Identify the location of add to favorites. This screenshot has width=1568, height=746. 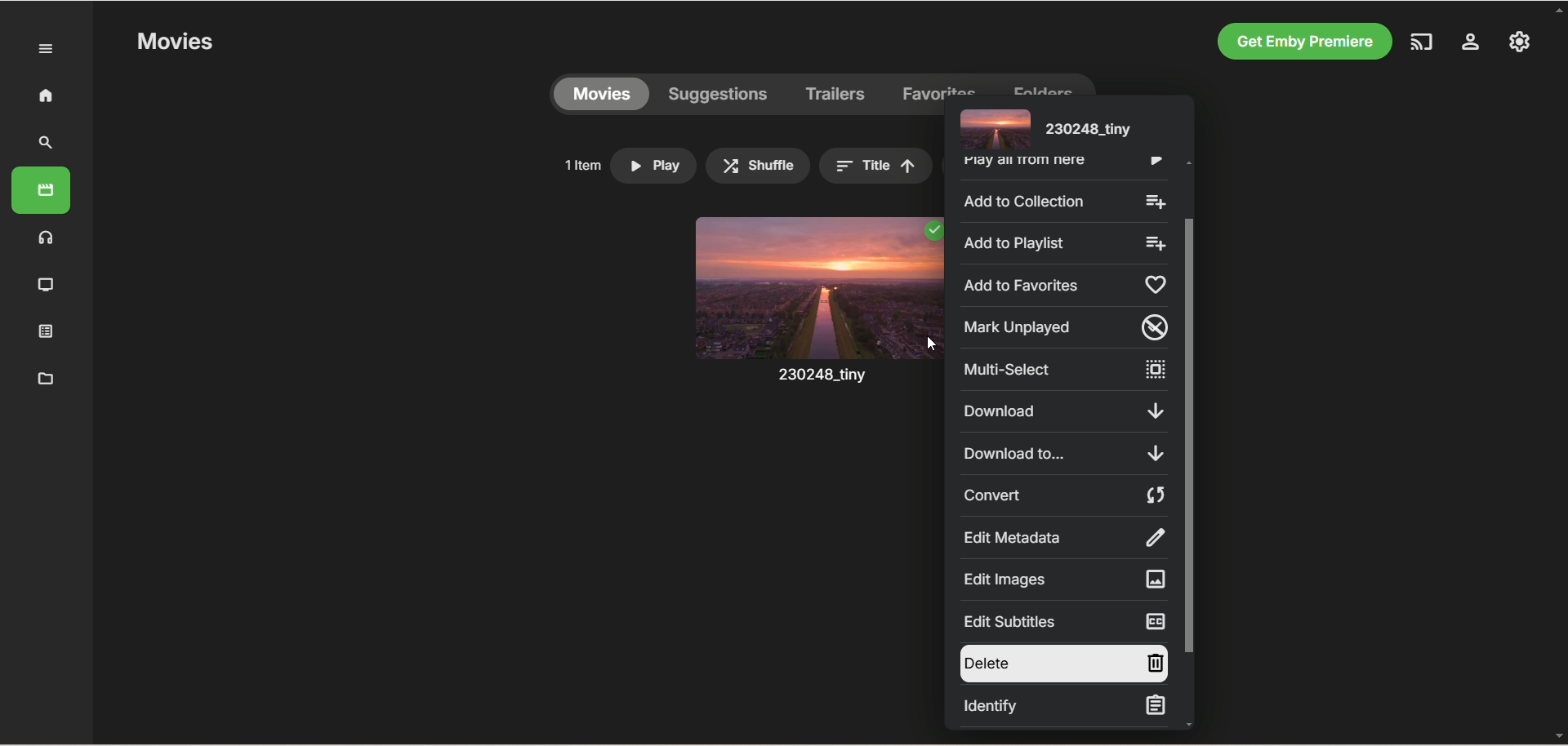
(1061, 285).